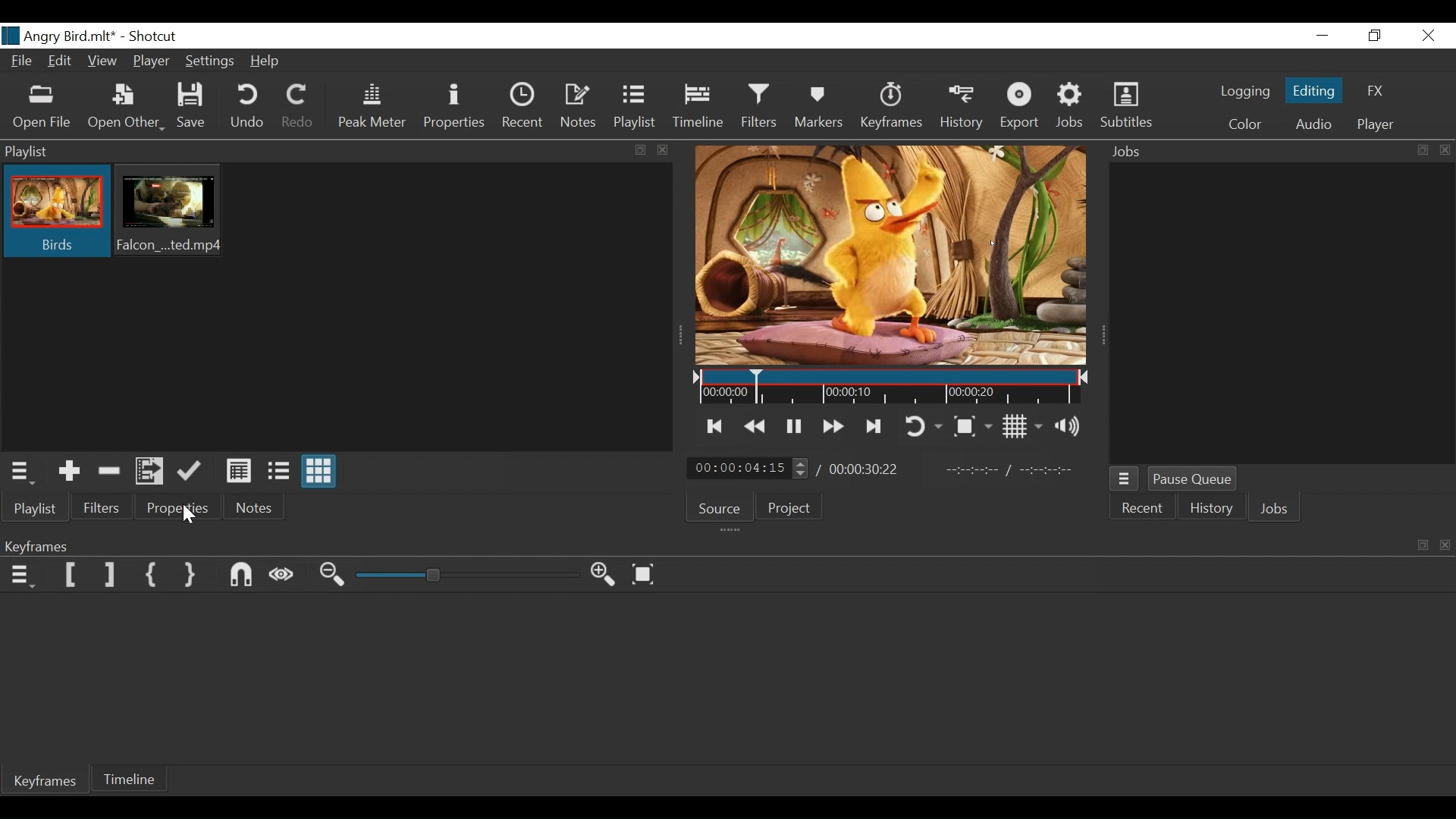 The height and width of the screenshot is (819, 1456). Describe the element at coordinates (247, 108) in the screenshot. I see `Undo` at that location.